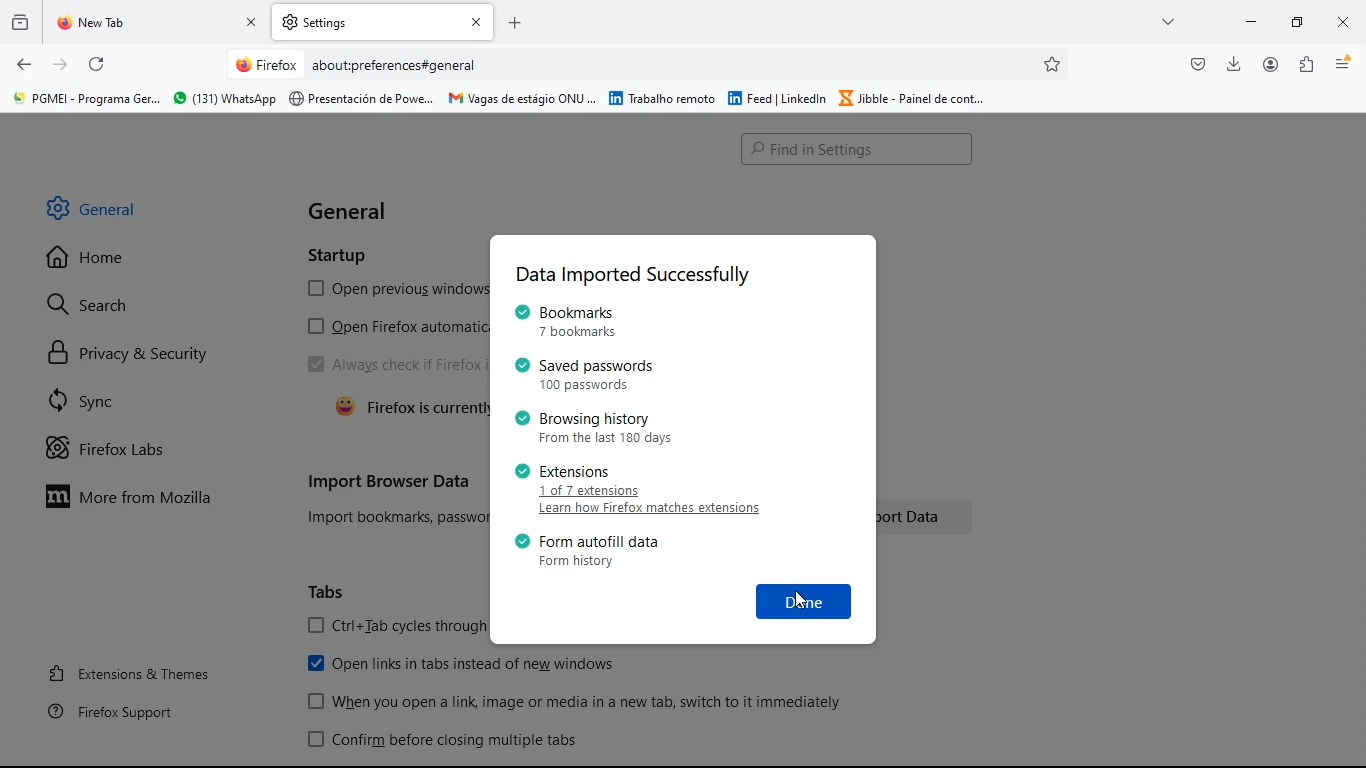 This screenshot has width=1366, height=768. What do you see at coordinates (1298, 24) in the screenshot?
I see `maximize` at bounding box center [1298, 24].